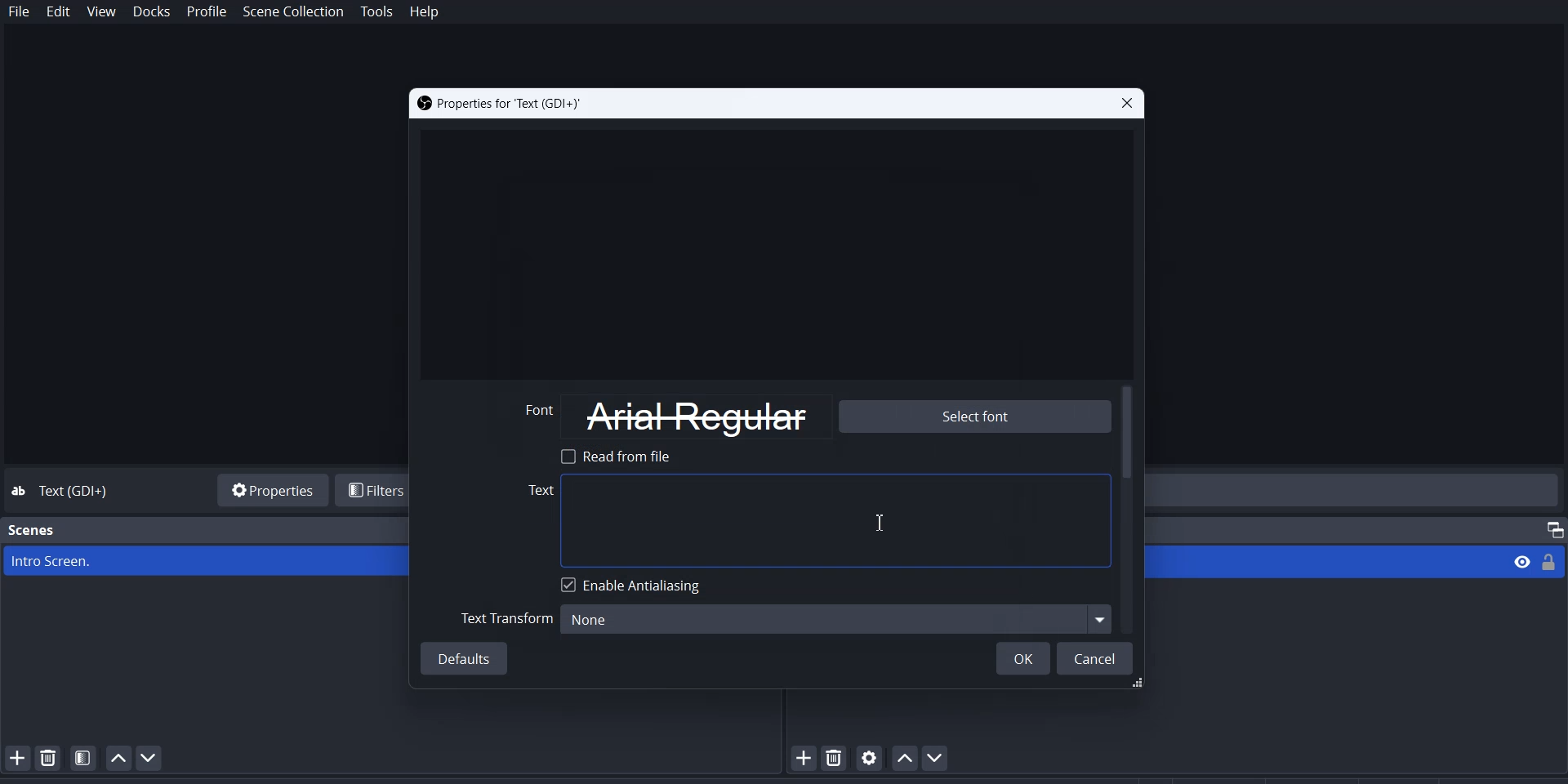 This screenshot has width=1568, height=784. I want to click on Move Scene Up, so click(118, 758).